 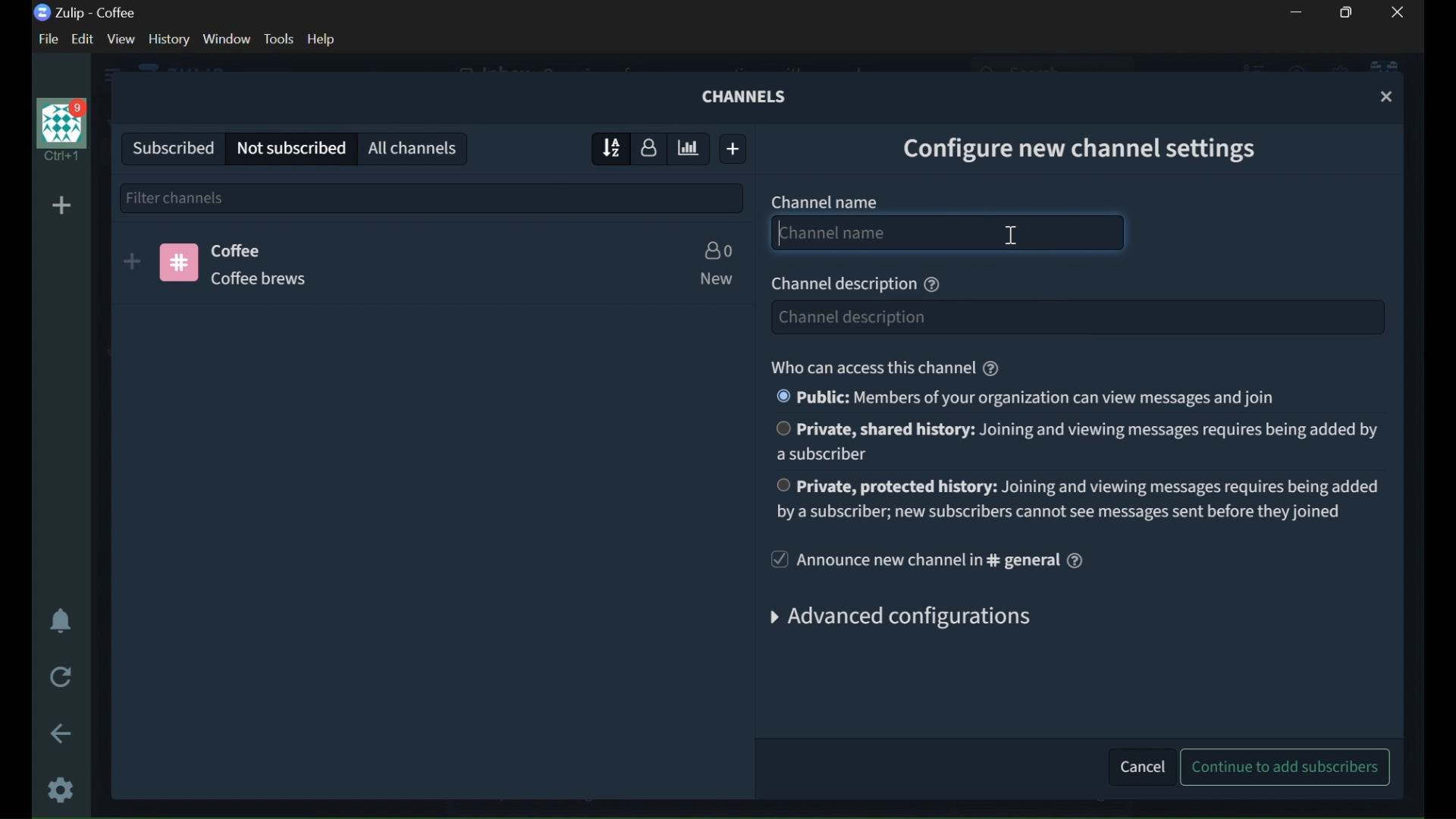 I want to click on NEW, so click(x=714, y=279).